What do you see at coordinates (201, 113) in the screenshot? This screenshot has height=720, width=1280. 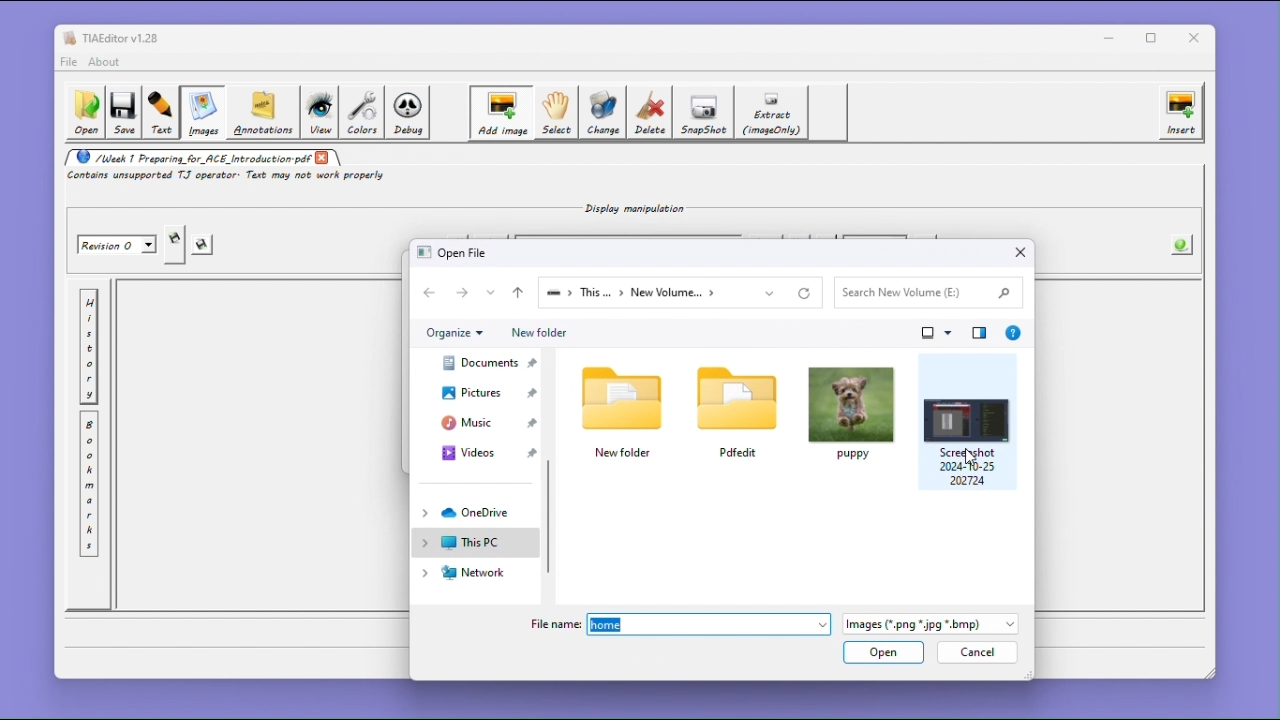 I see `Images` at bounding box center [201, 113].